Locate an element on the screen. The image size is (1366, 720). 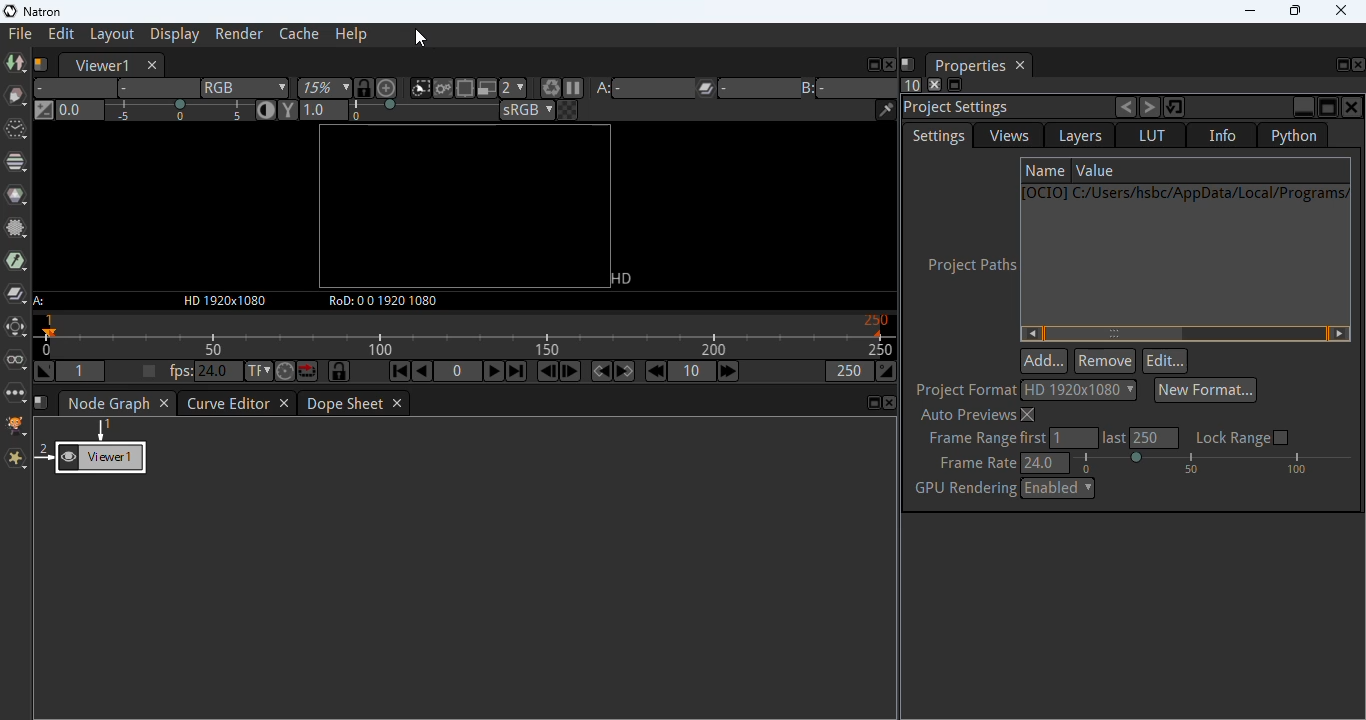
undo the last change made to the operator is located at coordinates (1125, 107).